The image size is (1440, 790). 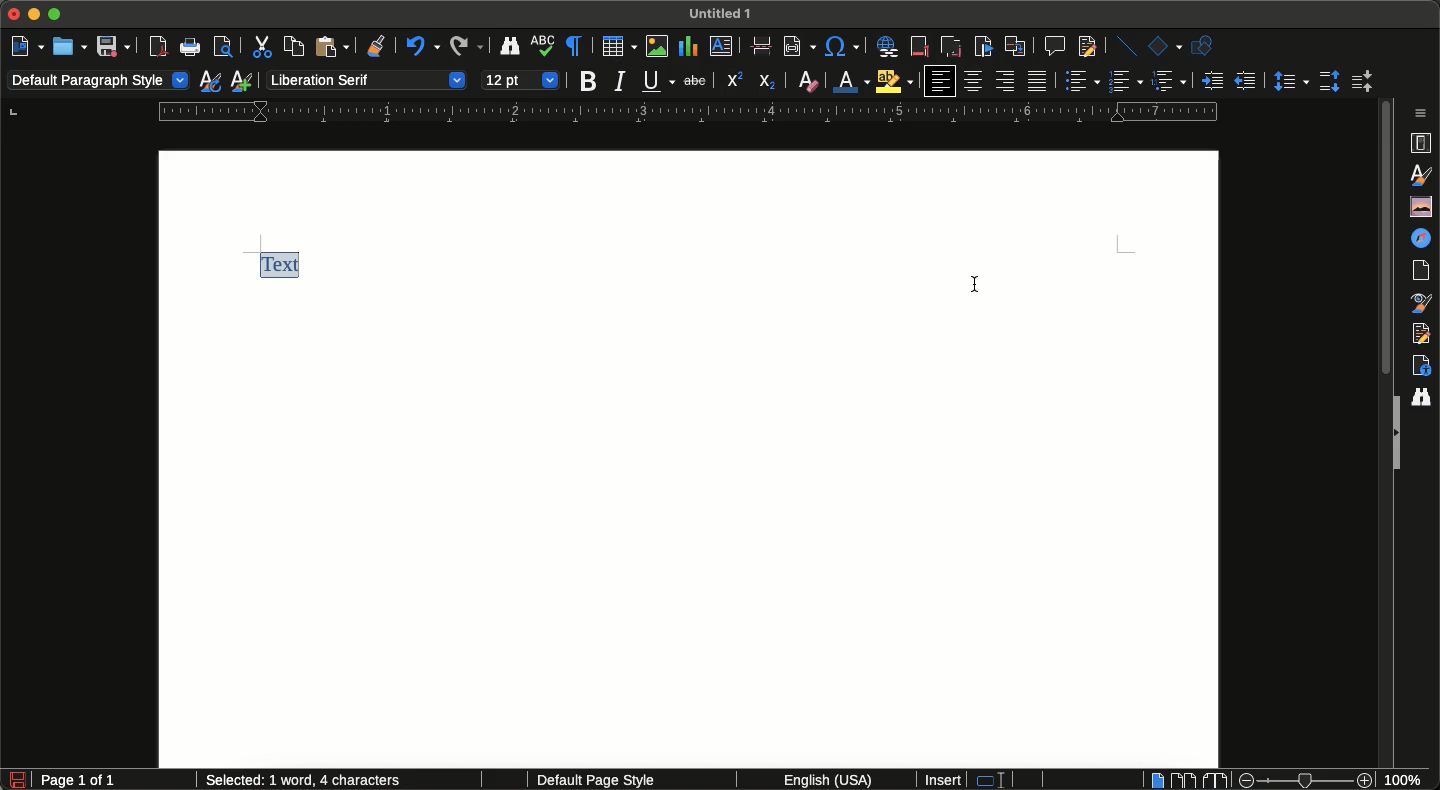 I want to click on Increase paragraph spacing, so click(x=1329, y=80).